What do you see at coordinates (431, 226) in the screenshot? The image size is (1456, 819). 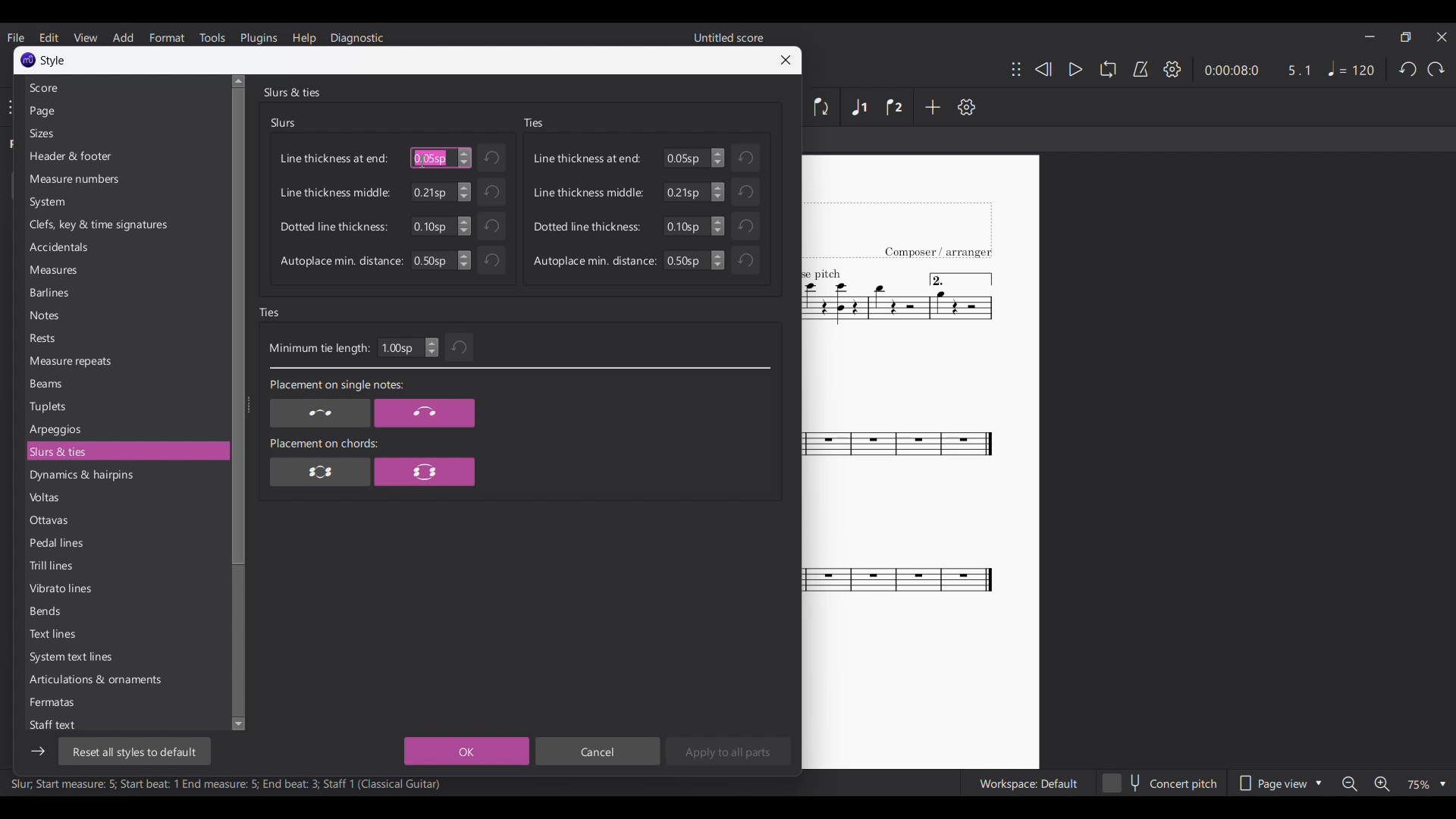 I see `Manually input dotted line thickness` at bounding box center [431, 226].